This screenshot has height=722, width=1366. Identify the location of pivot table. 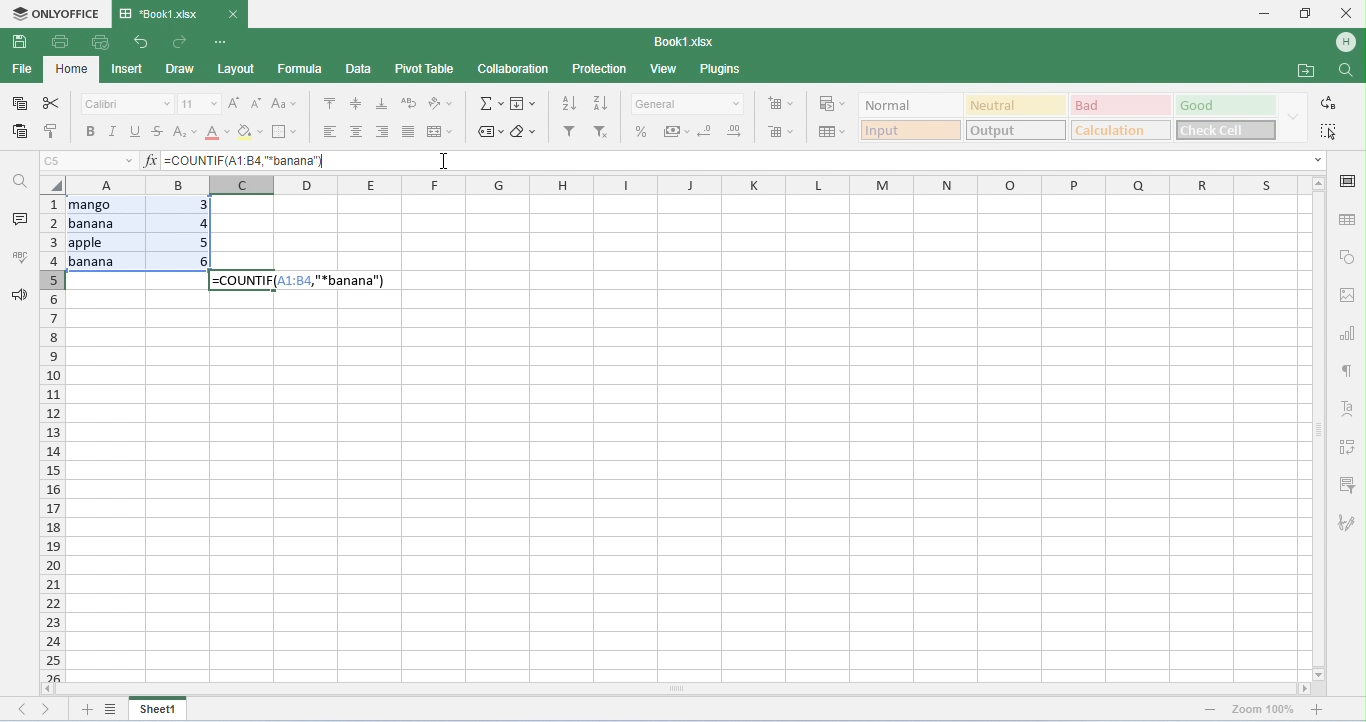
(425, 69).